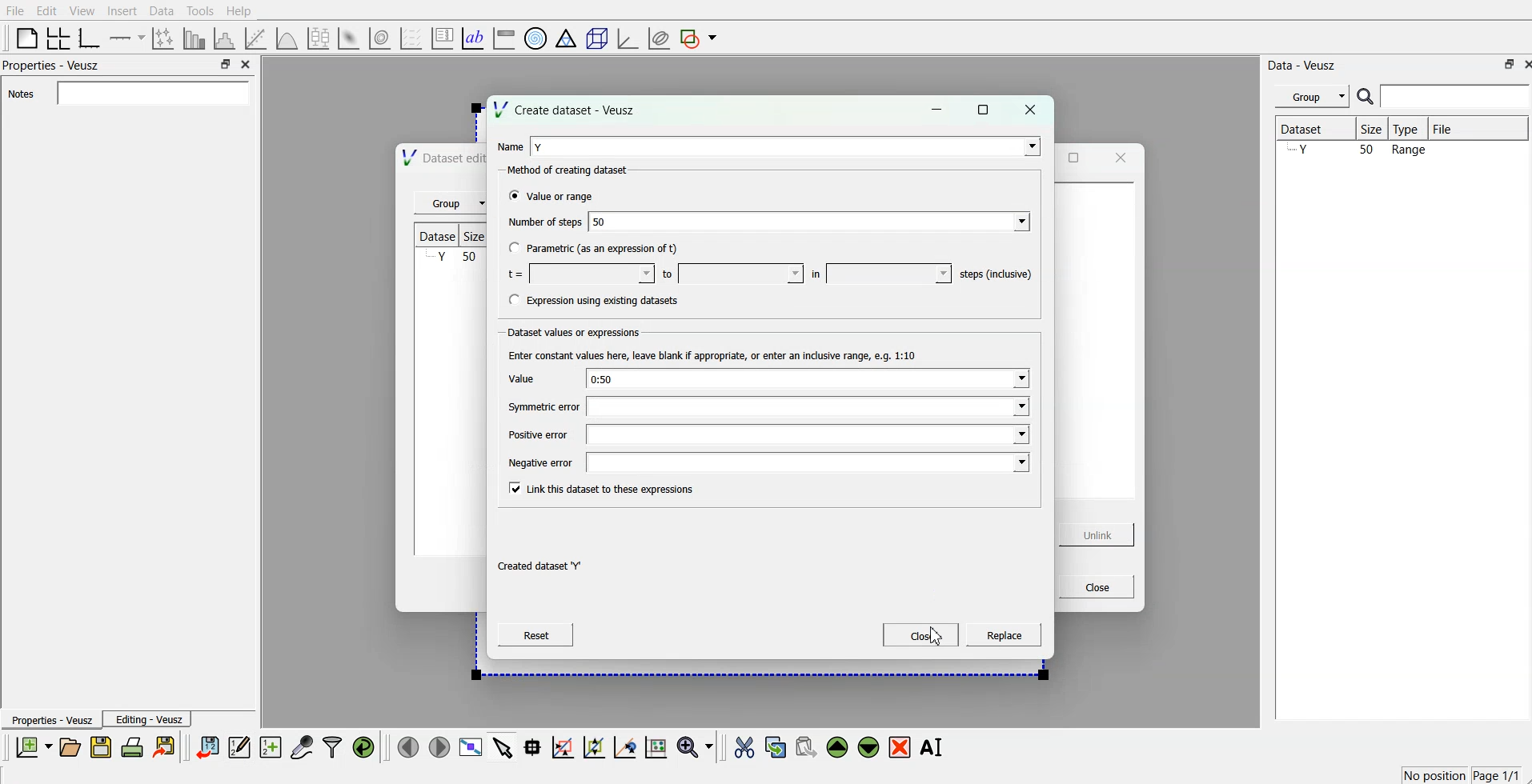 The image size is (1532, 784). I want to click on File, so click(16, 10).